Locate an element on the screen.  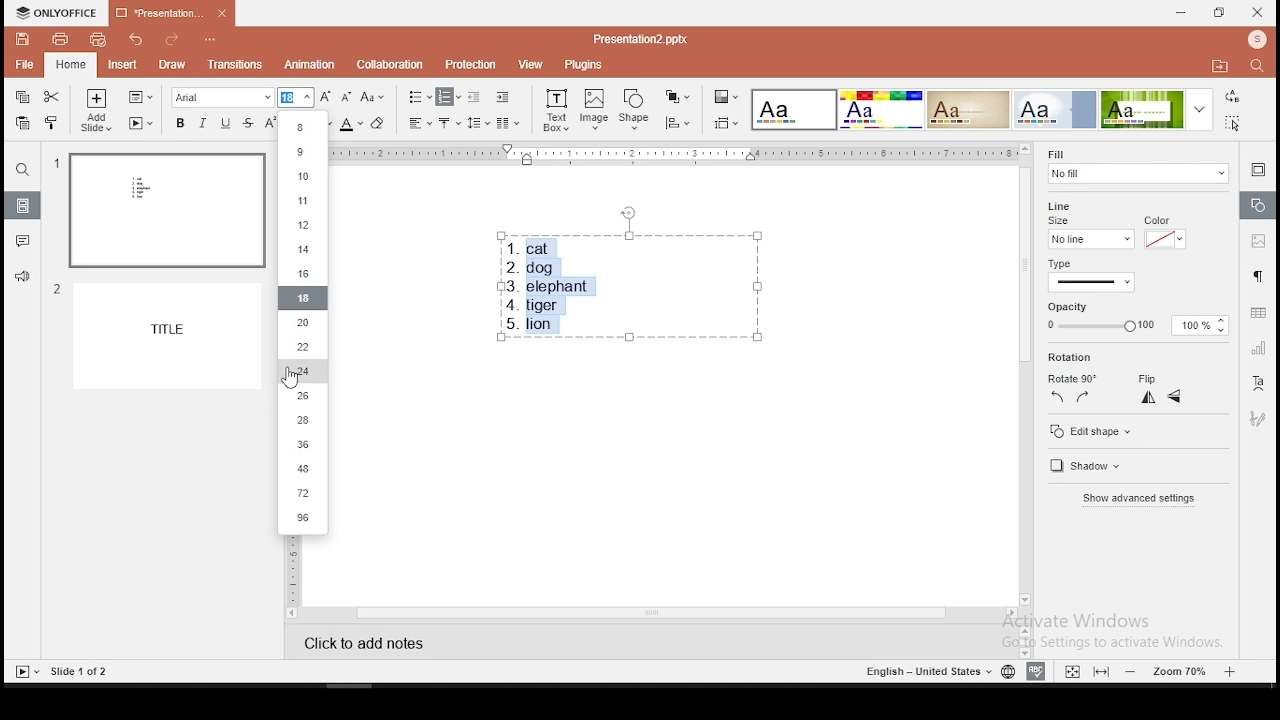
fill is located at coordinates (1135, 168).